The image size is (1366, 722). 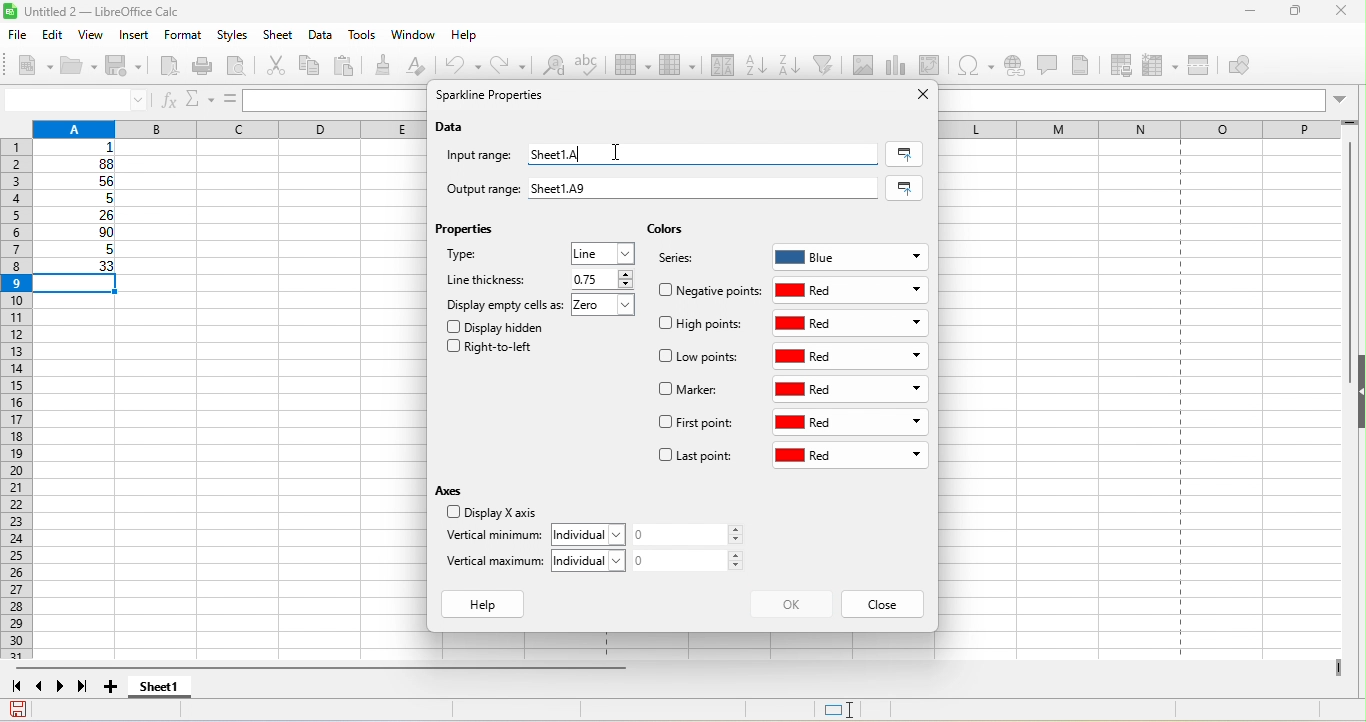 I want to click on close, so click(x=883, y=605).